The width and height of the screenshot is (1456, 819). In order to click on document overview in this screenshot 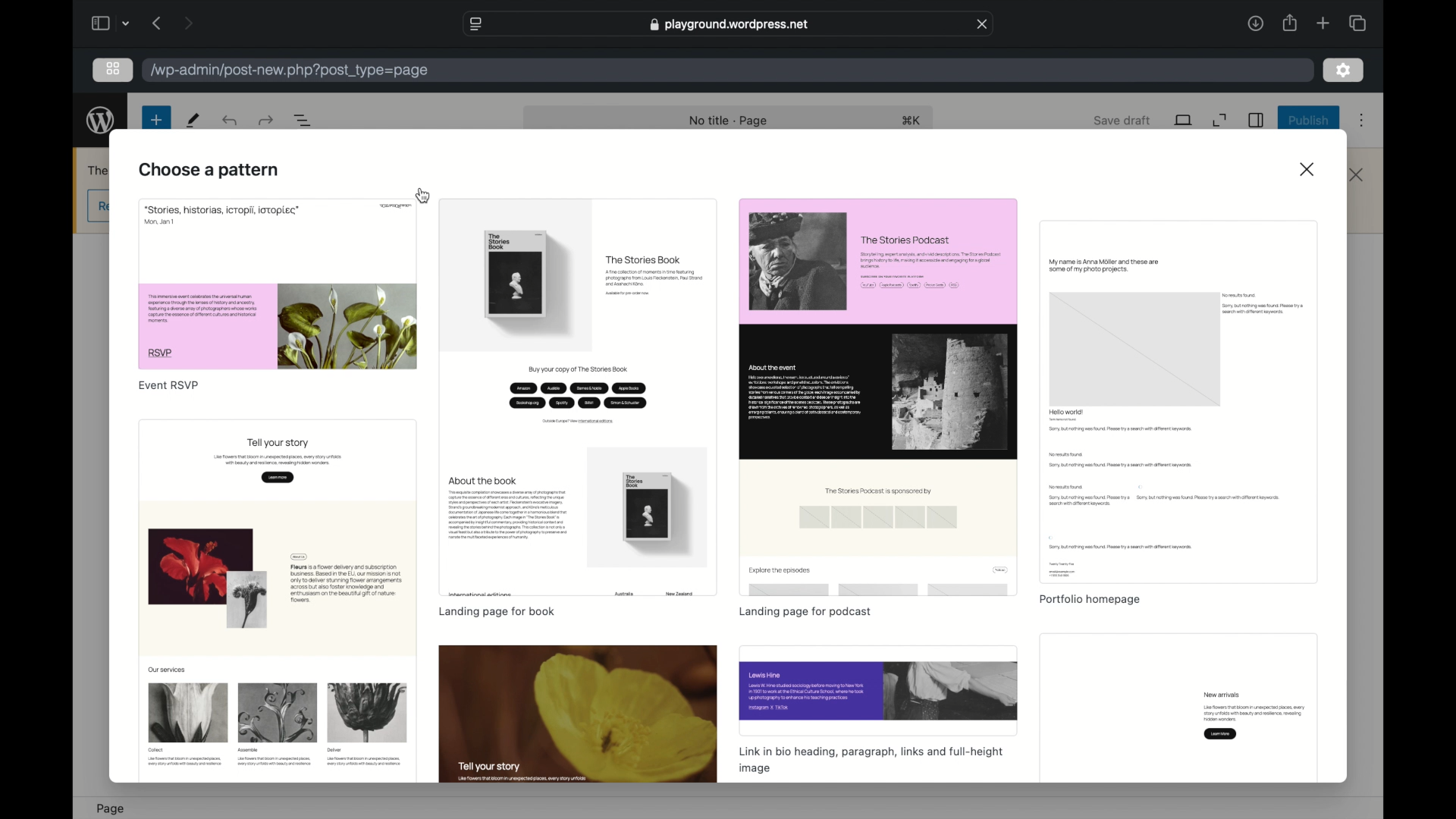, I will do `click(303, 120)`.